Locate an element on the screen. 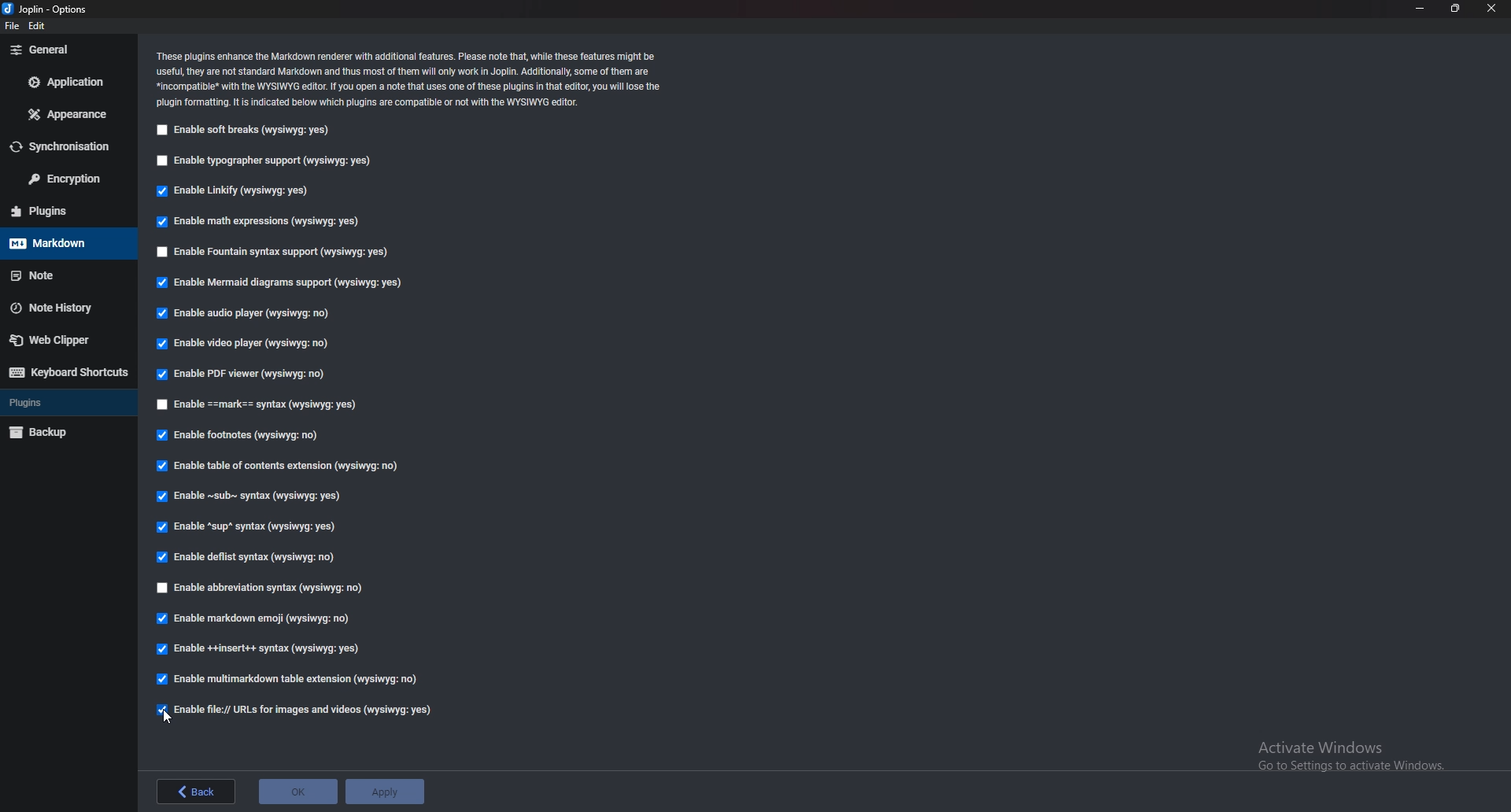  ok is located at coordinates (297, 790).